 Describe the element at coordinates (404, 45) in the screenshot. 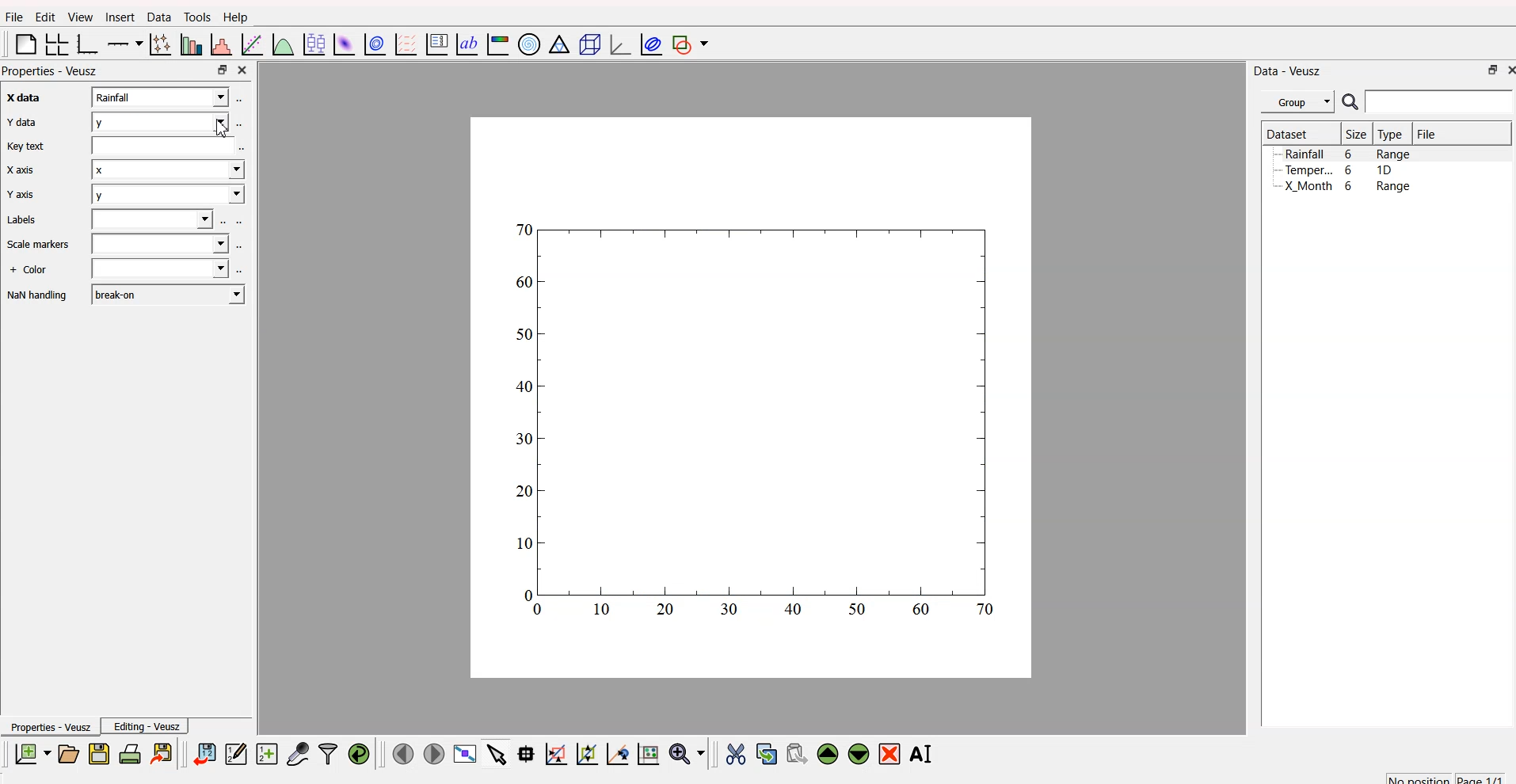

I see `plot a vector field` at that location.